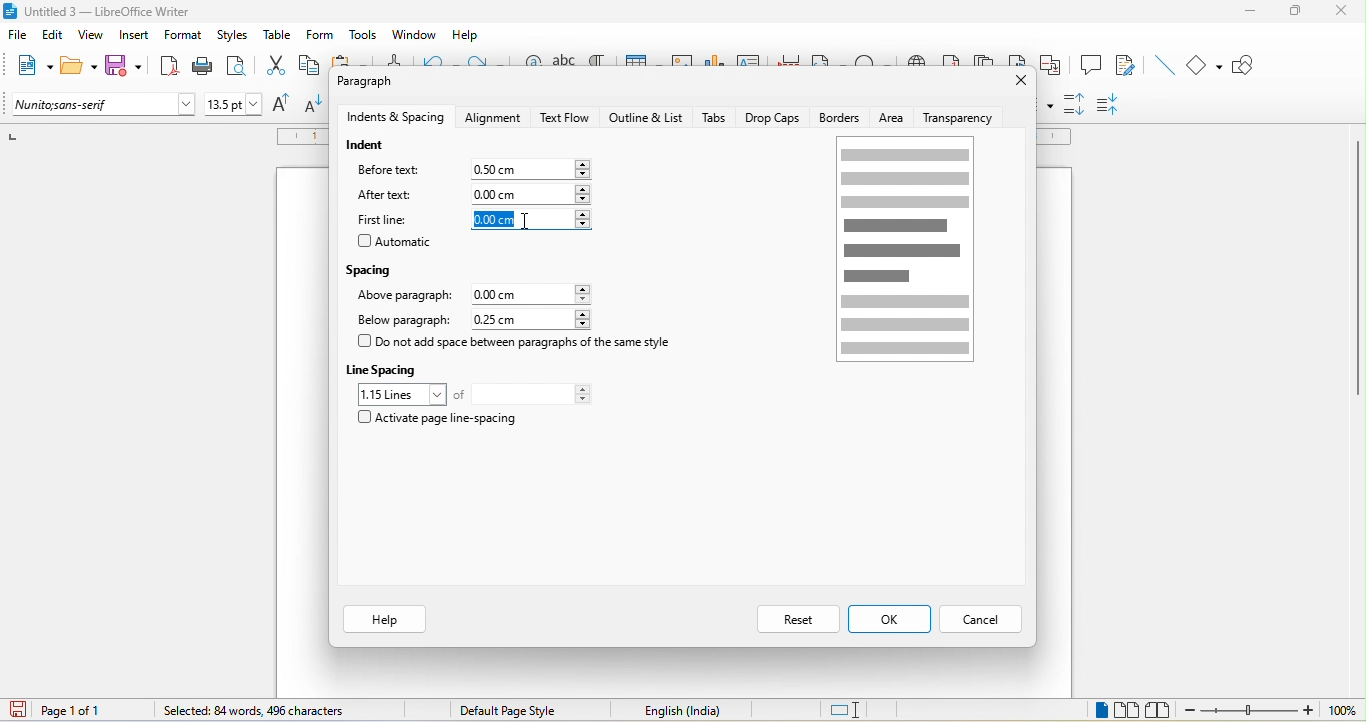 The width and height of the screenshot is (1366, 722). I want to click on ok, so click(889, 619).